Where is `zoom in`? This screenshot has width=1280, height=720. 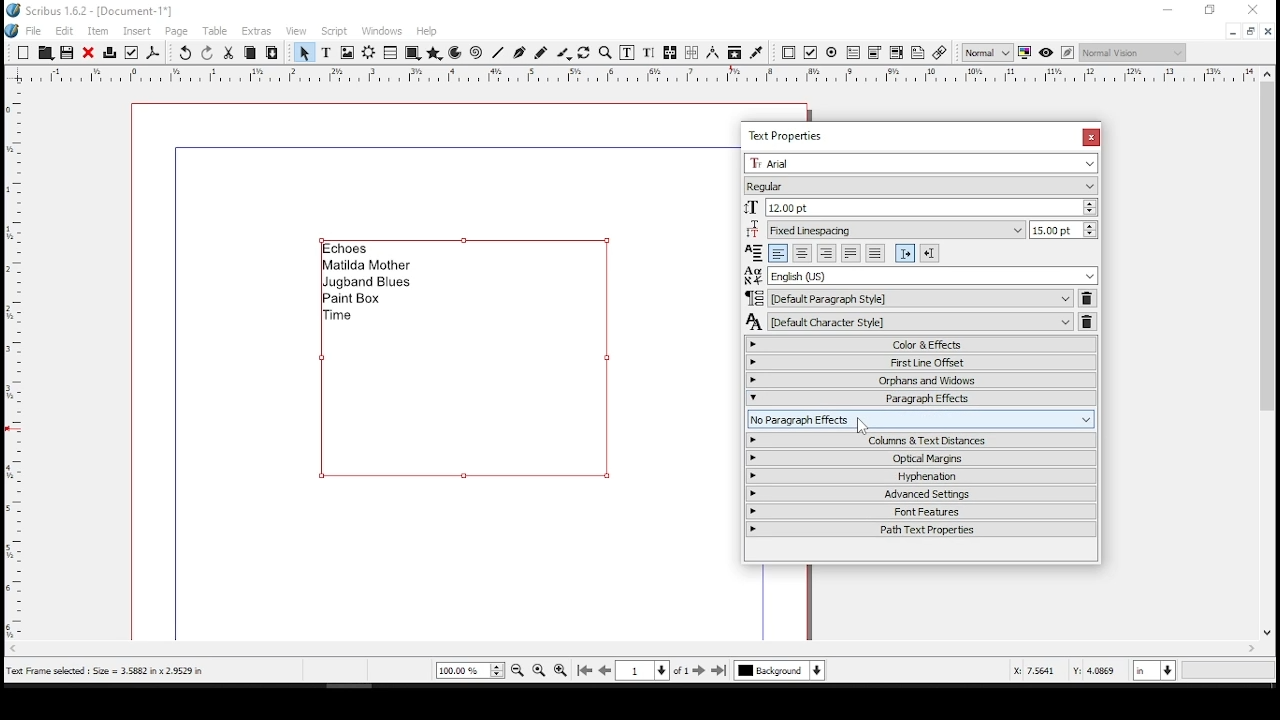
zoom in is located at coordinates (559, 672).